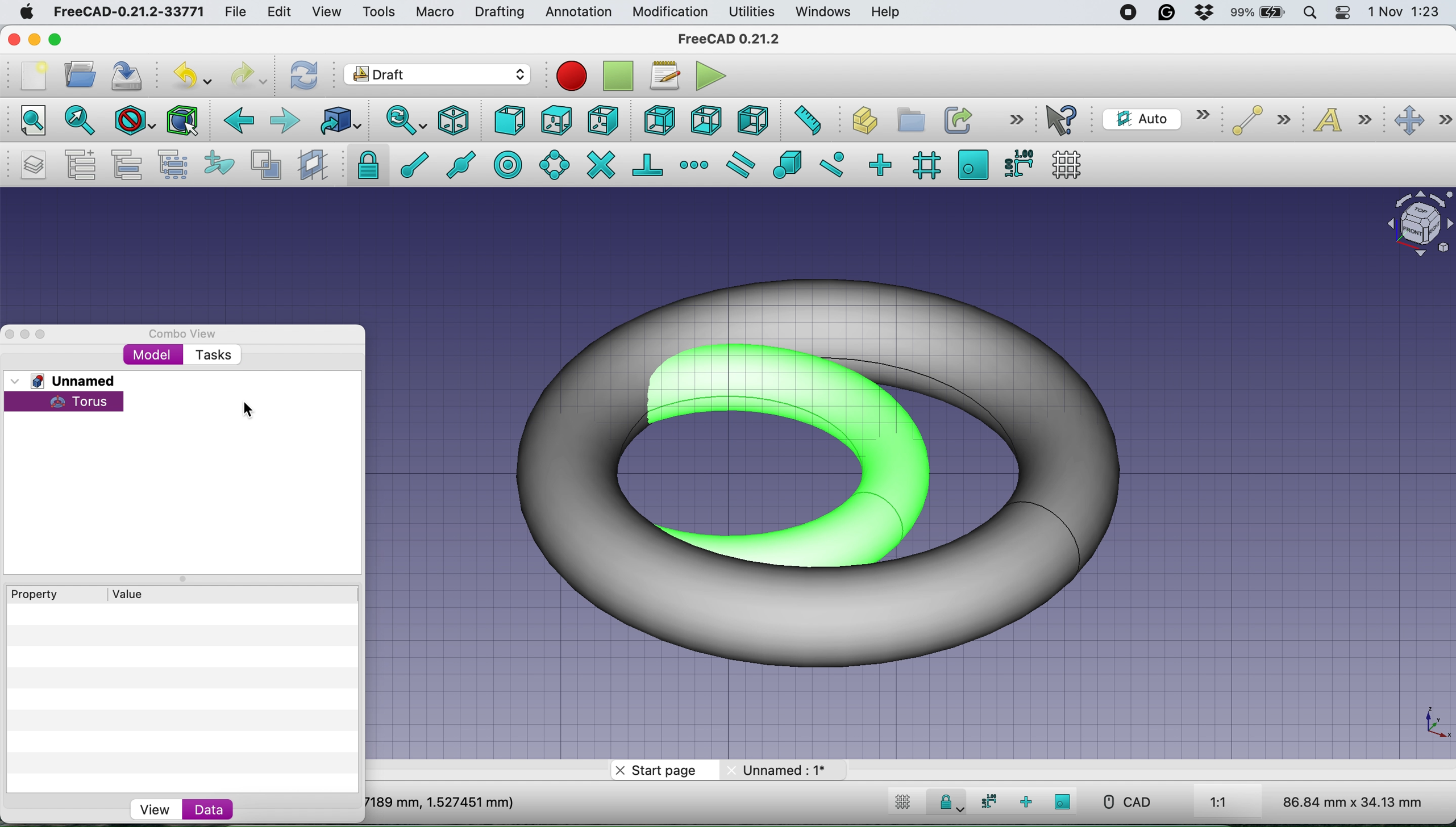 This screenshot has width=1456, height=827. I want to click on bottom, so click(708, 119).